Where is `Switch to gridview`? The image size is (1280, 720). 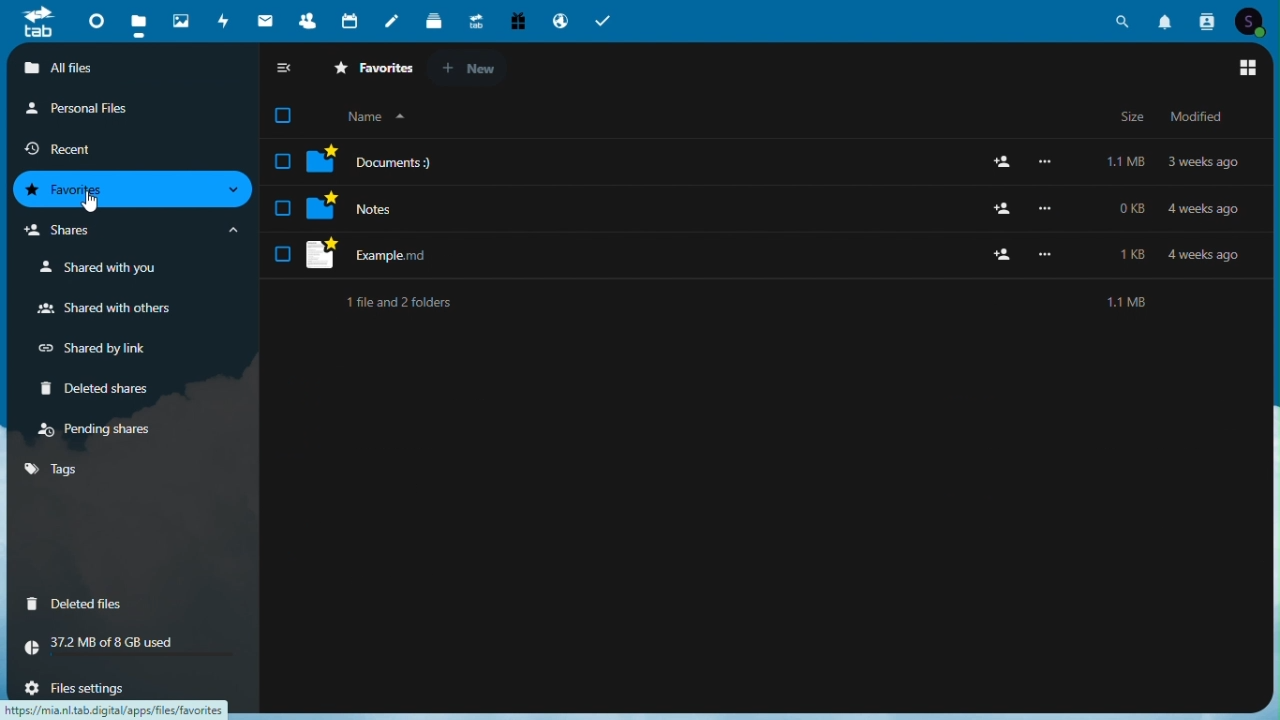 Switch to gridview is located at coordinates (1250, 68).